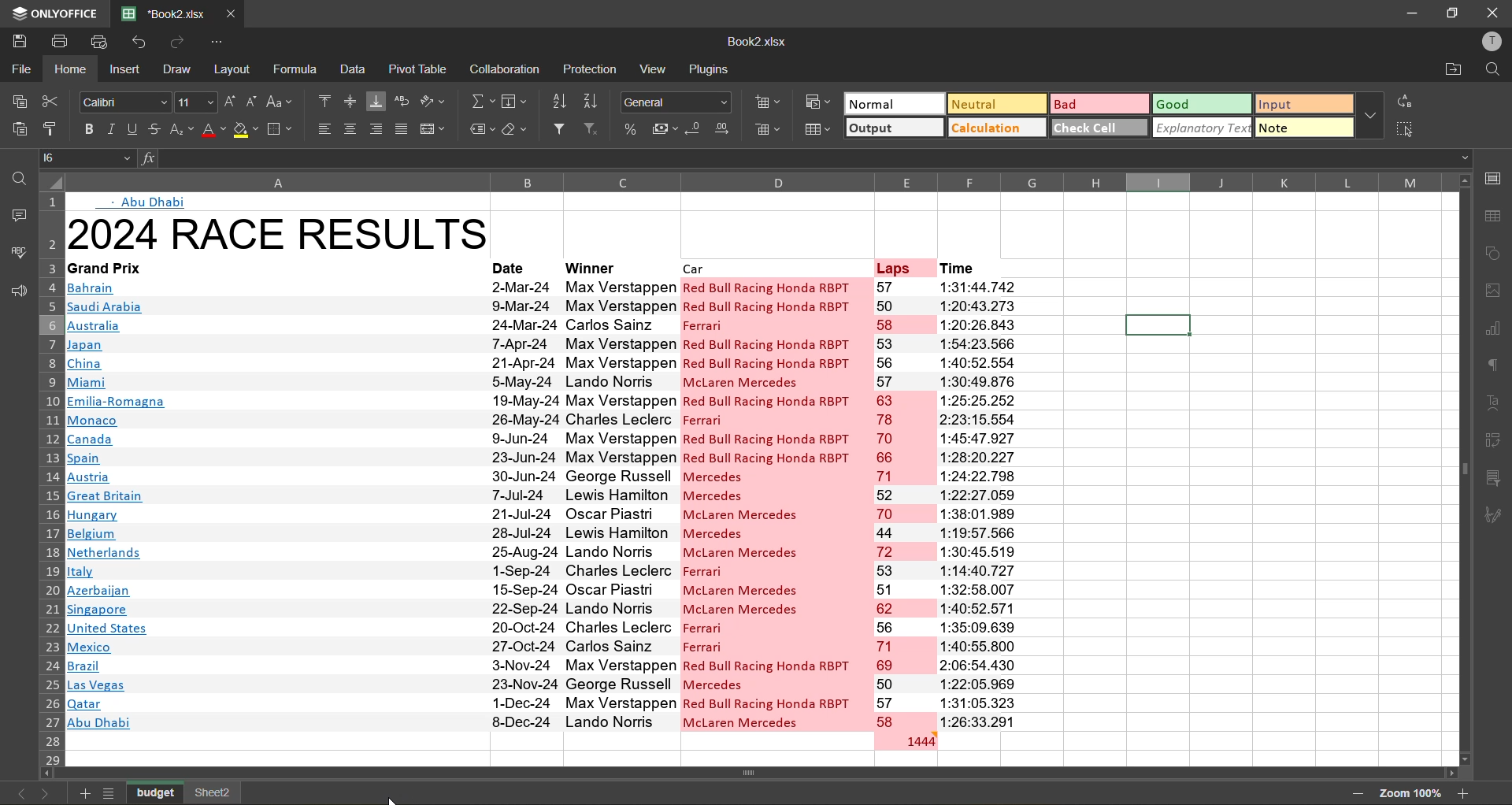 This screenshot has height=805, width=1512. What do you see at coordinates (591, 70) in the screenshot?
I see `protection` at bounding box center [591, 70].